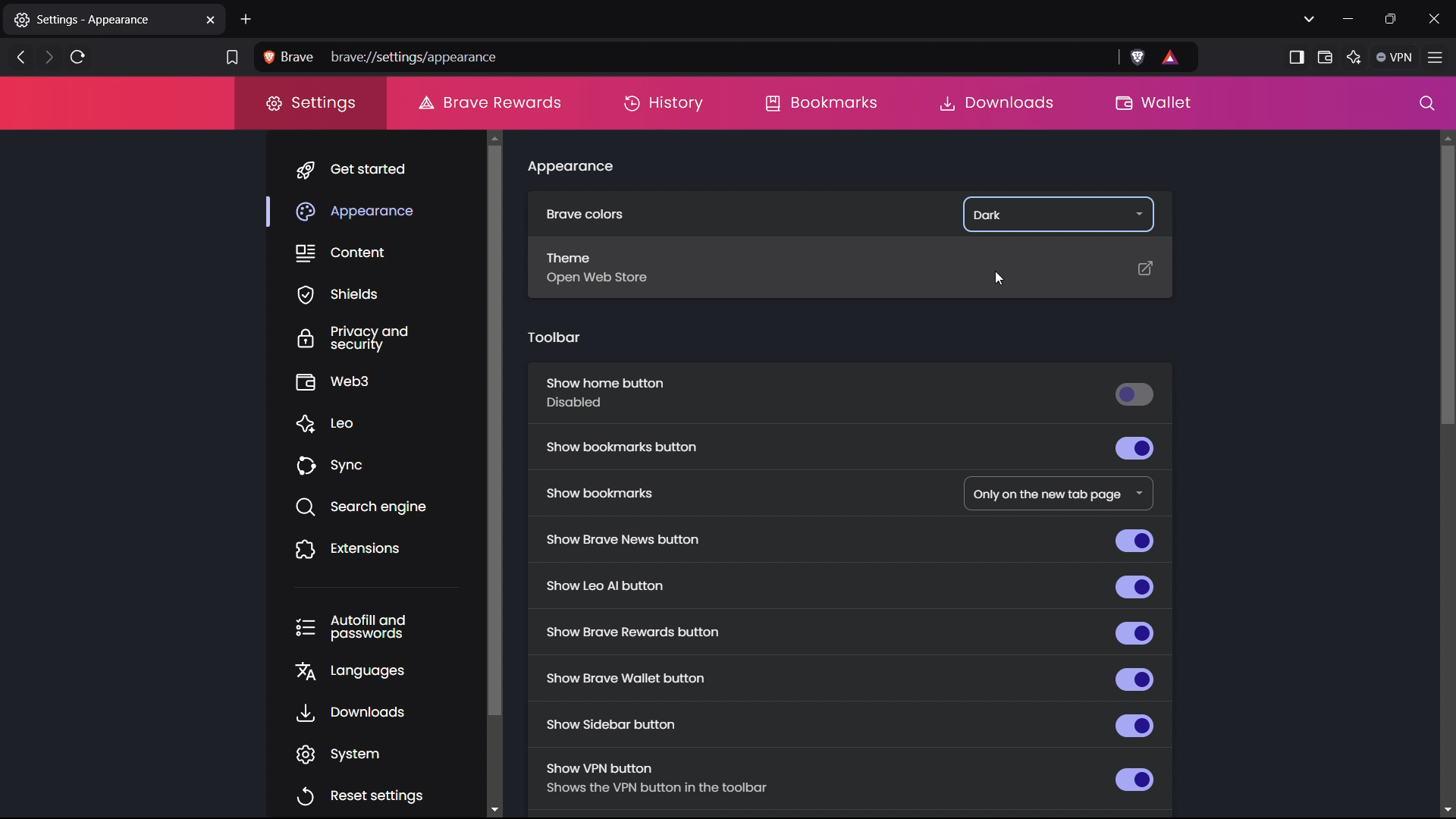 This screenshot has width=1456, height=819. I want to click on brave rewards, so click(489, 102).